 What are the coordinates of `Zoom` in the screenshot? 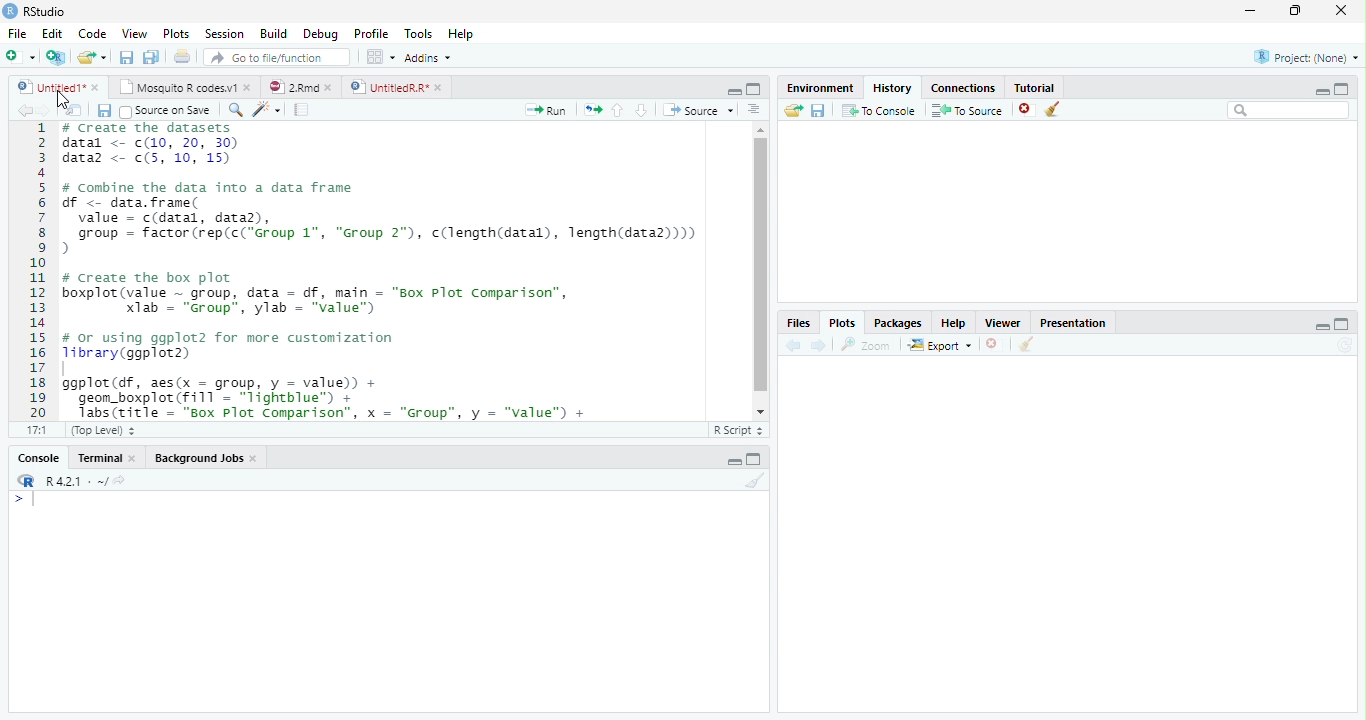 It's located at (866, 345).